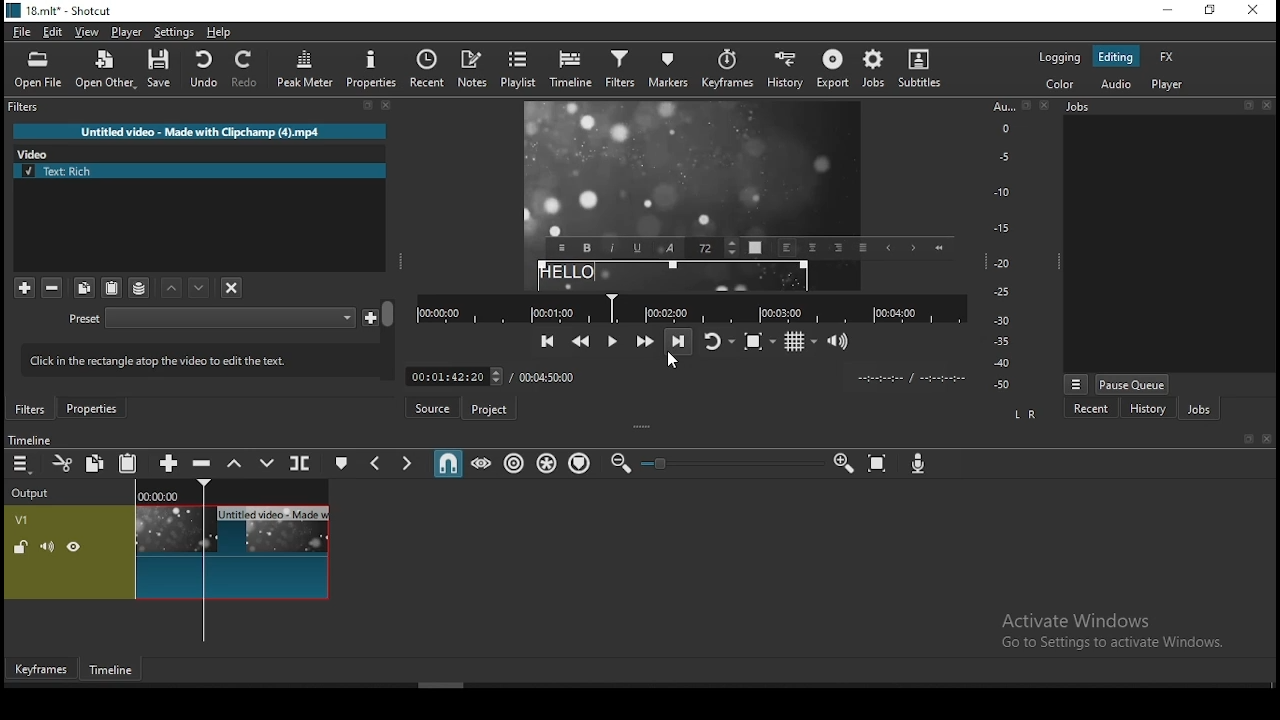 The image size is (1280, 720). What do you see at coordinates (171, 462) in the screenshot?
I see `append` at bounding box center [171, 462].